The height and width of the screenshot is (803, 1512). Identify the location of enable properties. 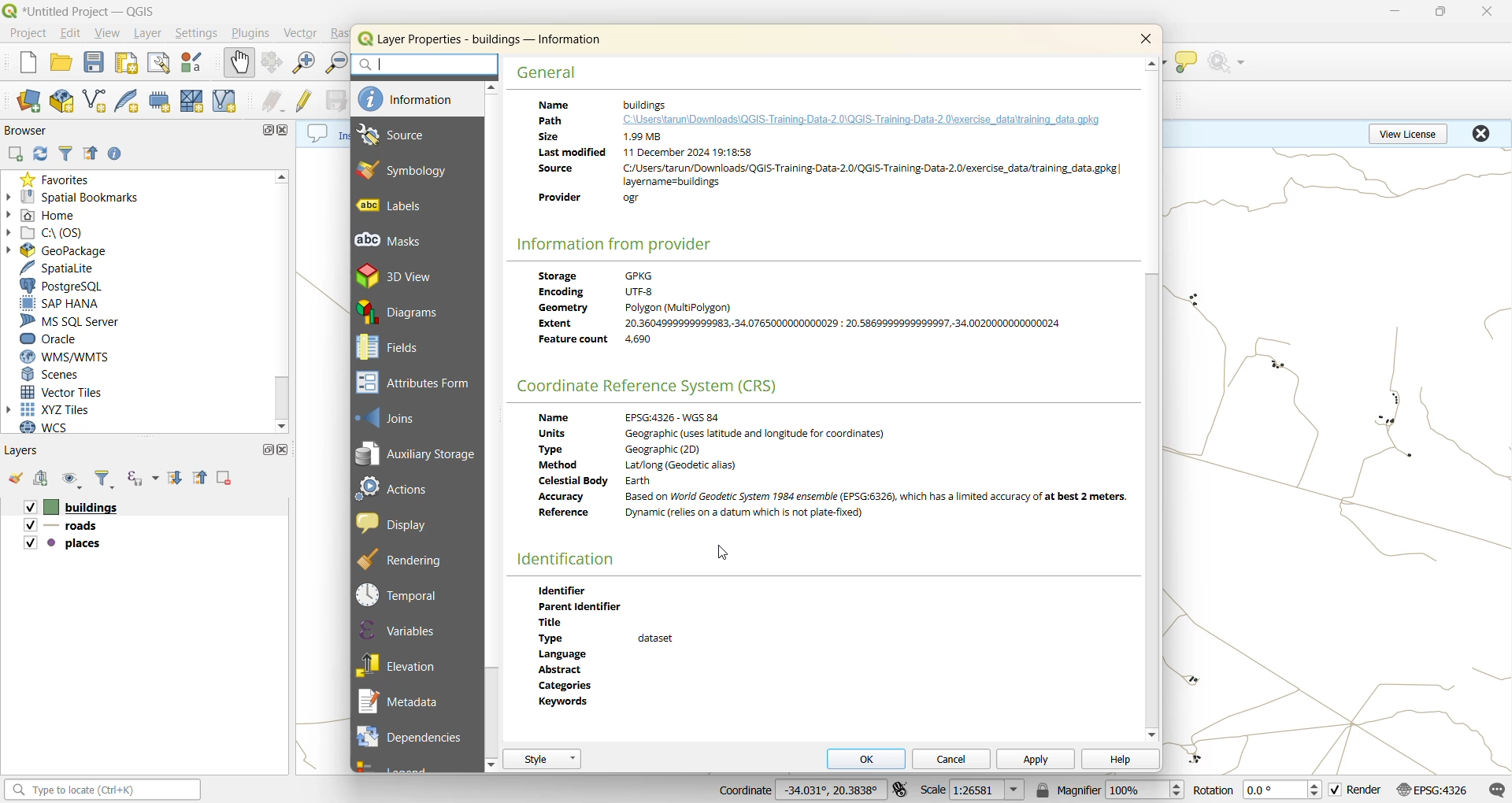
(116, 154).